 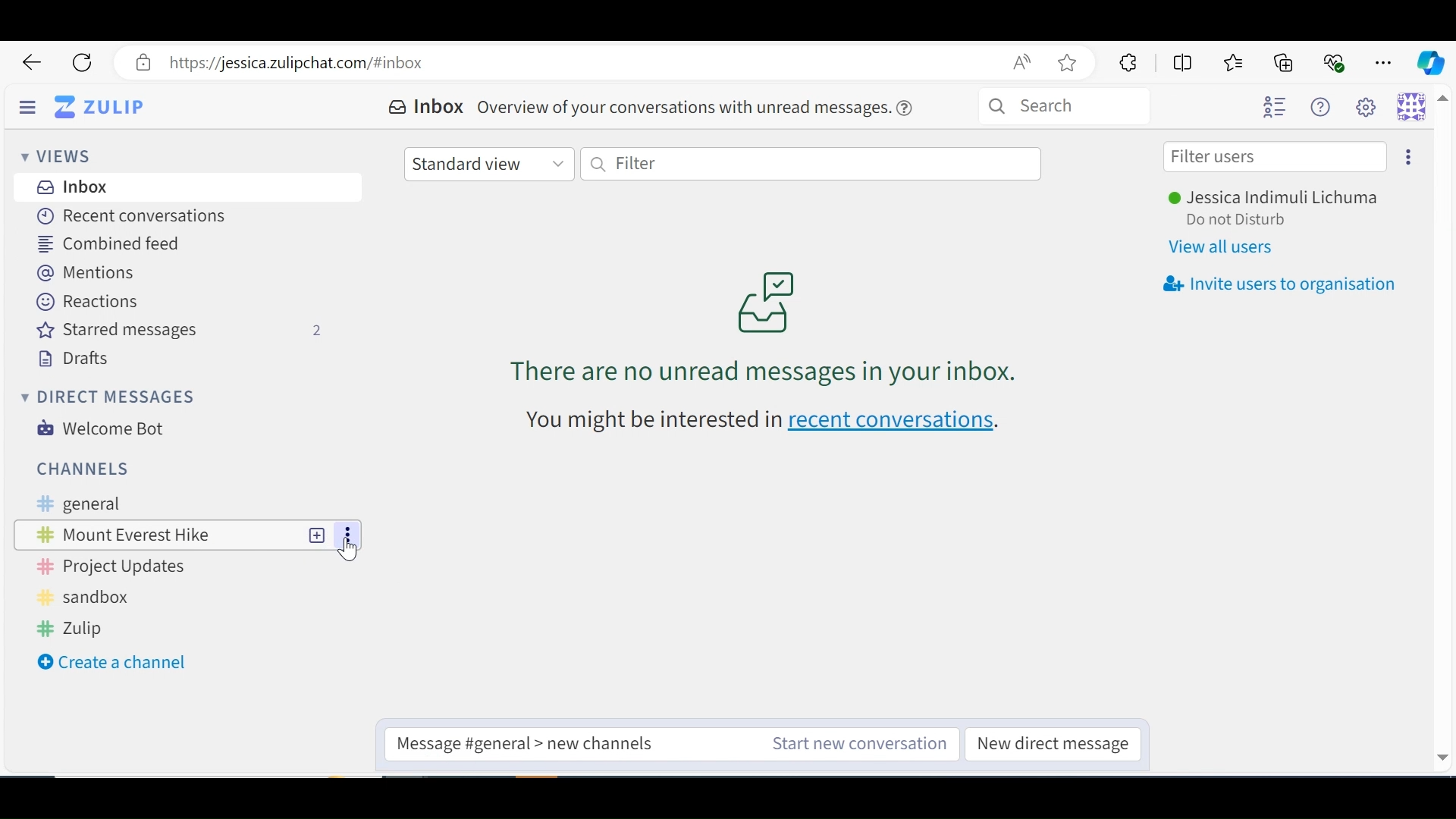 What do you see at coordinates (1181, 61) in the screenshot?
I see `Split screen` at bounding box center [1181, 61].